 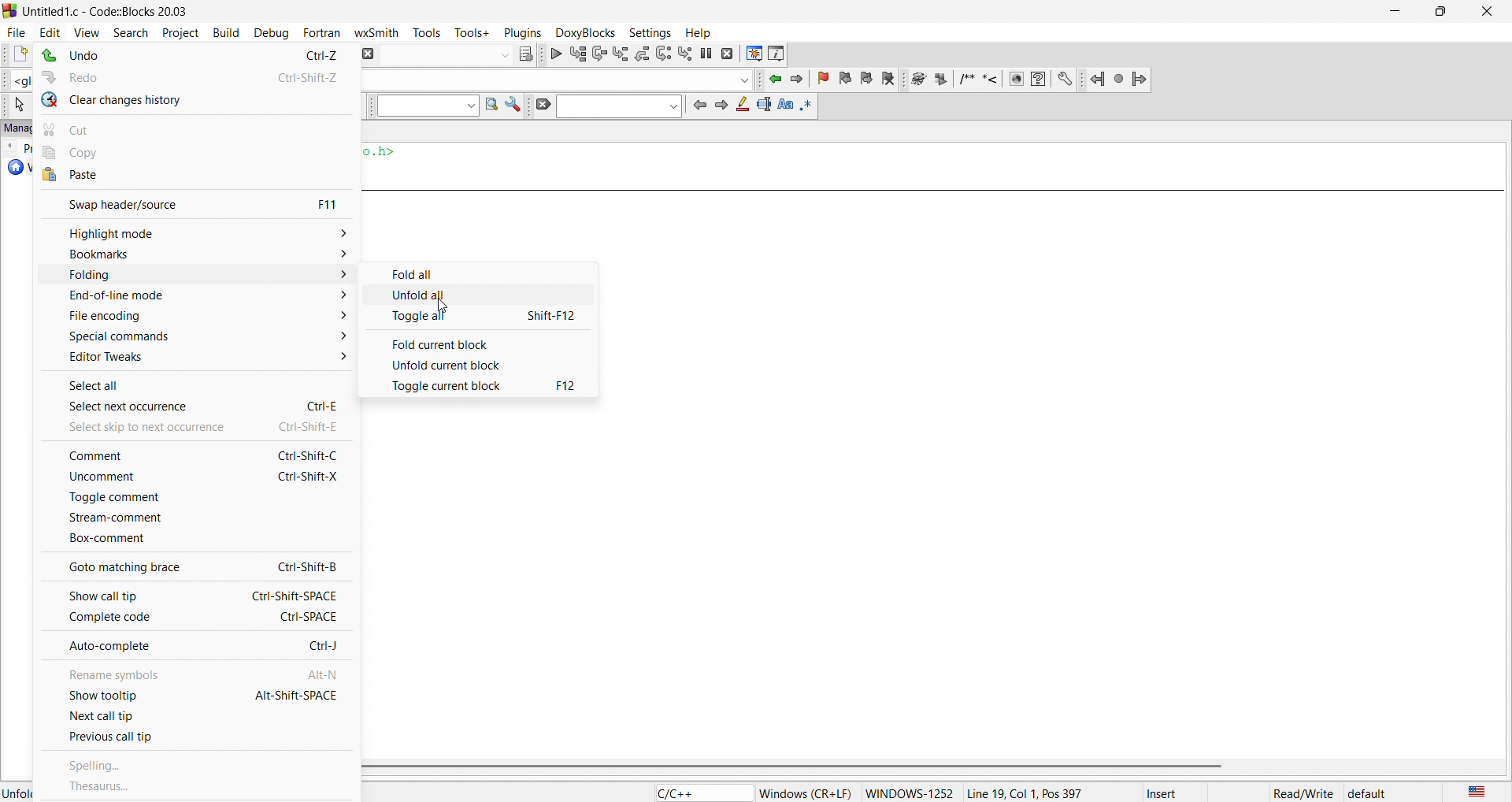 What do you see at coordinates (366, 53) in the screenshot?
I see `abort` at bounding box center [366, 53].